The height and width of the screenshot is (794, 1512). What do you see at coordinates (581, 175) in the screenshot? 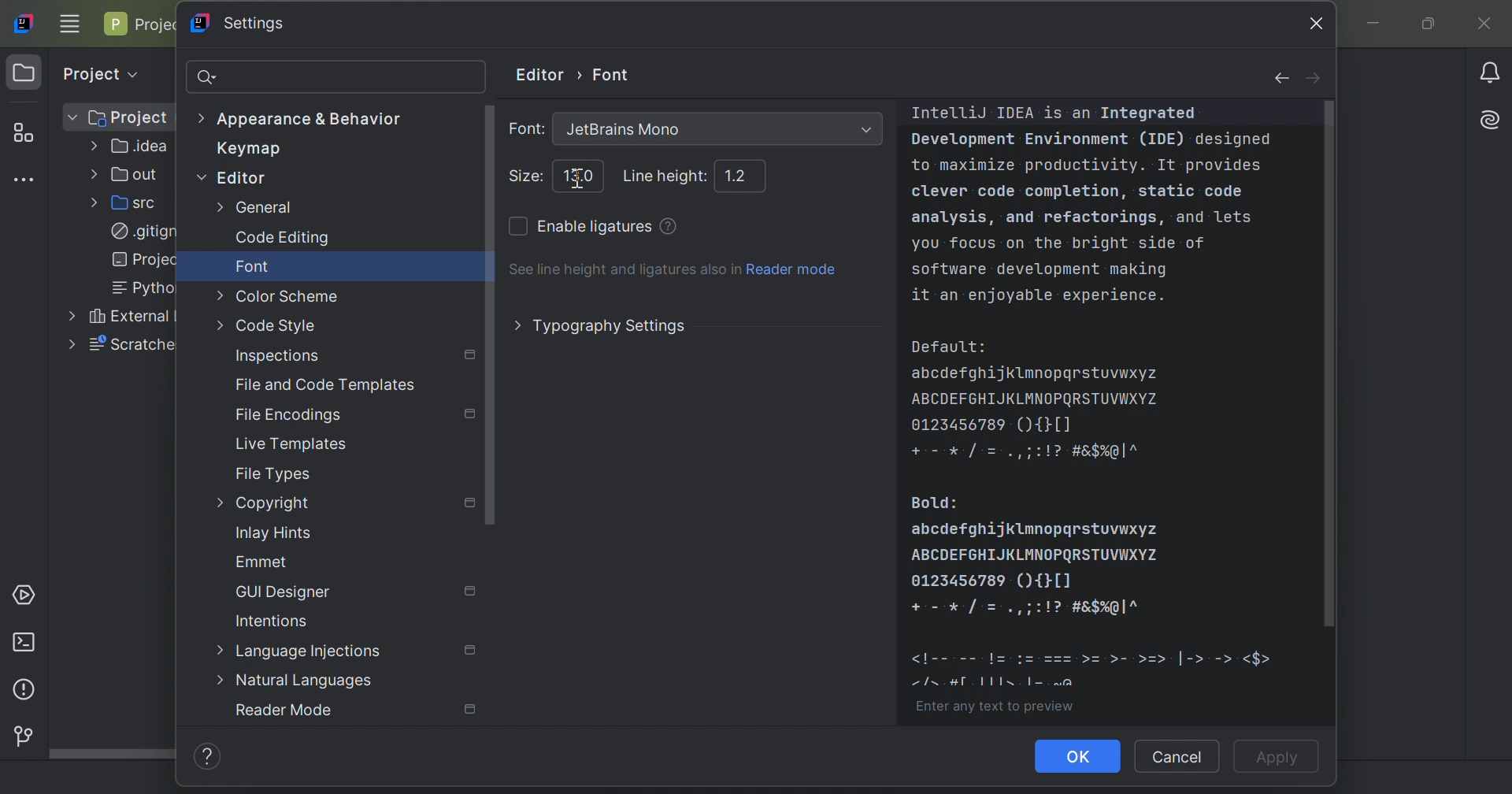
I see `13.0` at bounding box center [581, 175].